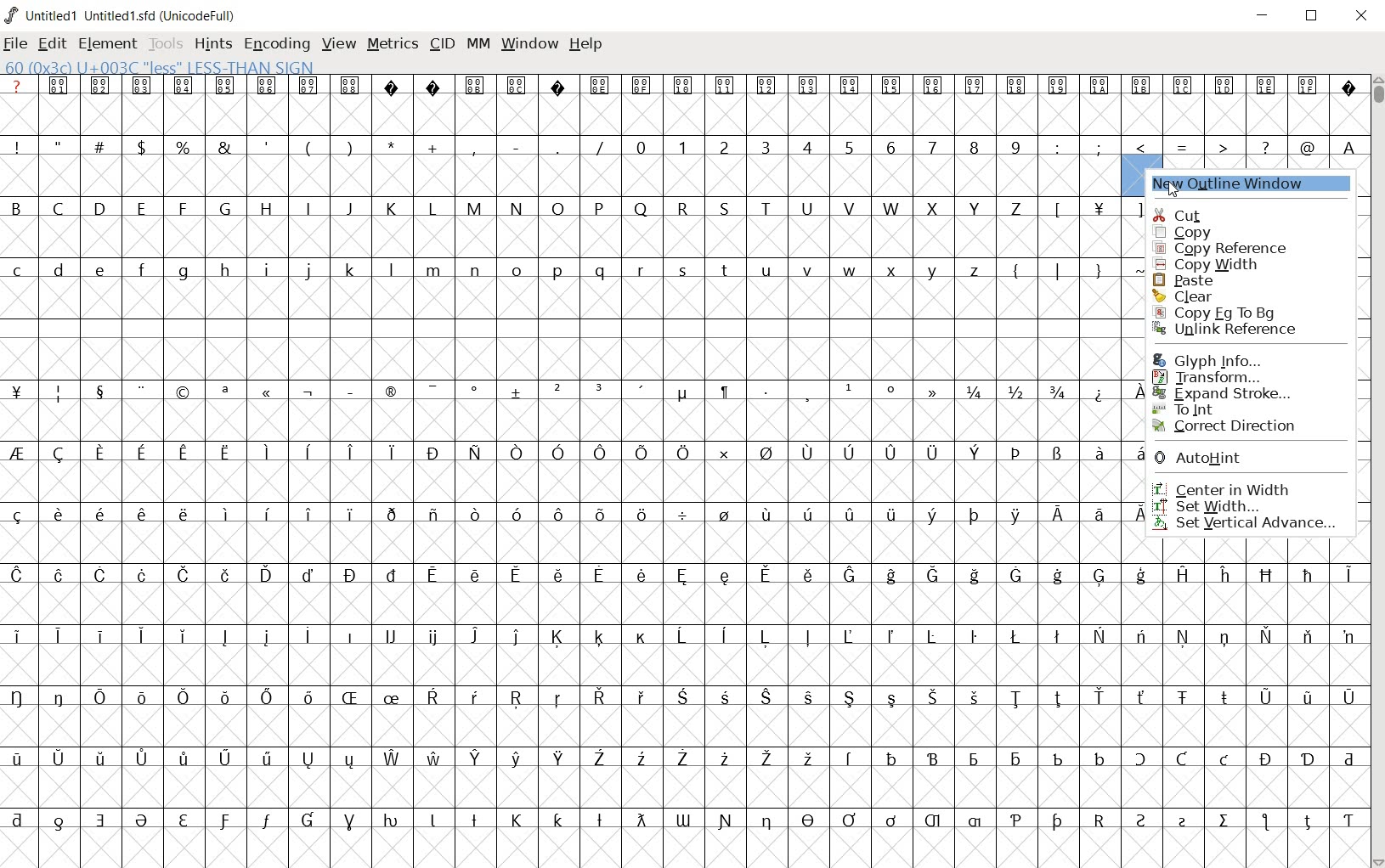  I want to click on special character, so click(1105, 392).